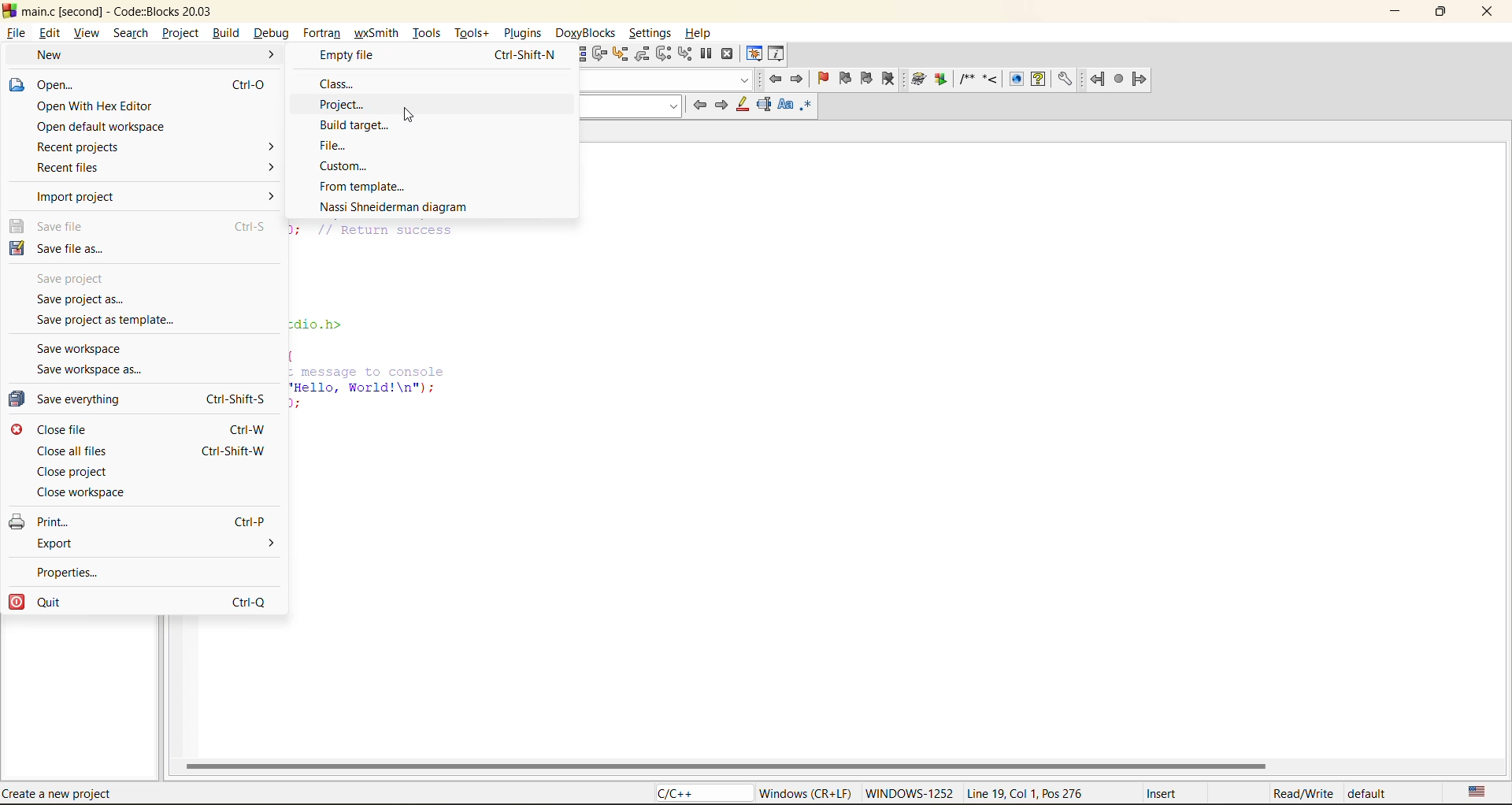 Image resolution: width=1512 pixels, height=805 pixels. Describe the element at coordinates (378, 35) in the screenshot. I see `wxsmith` at that location.